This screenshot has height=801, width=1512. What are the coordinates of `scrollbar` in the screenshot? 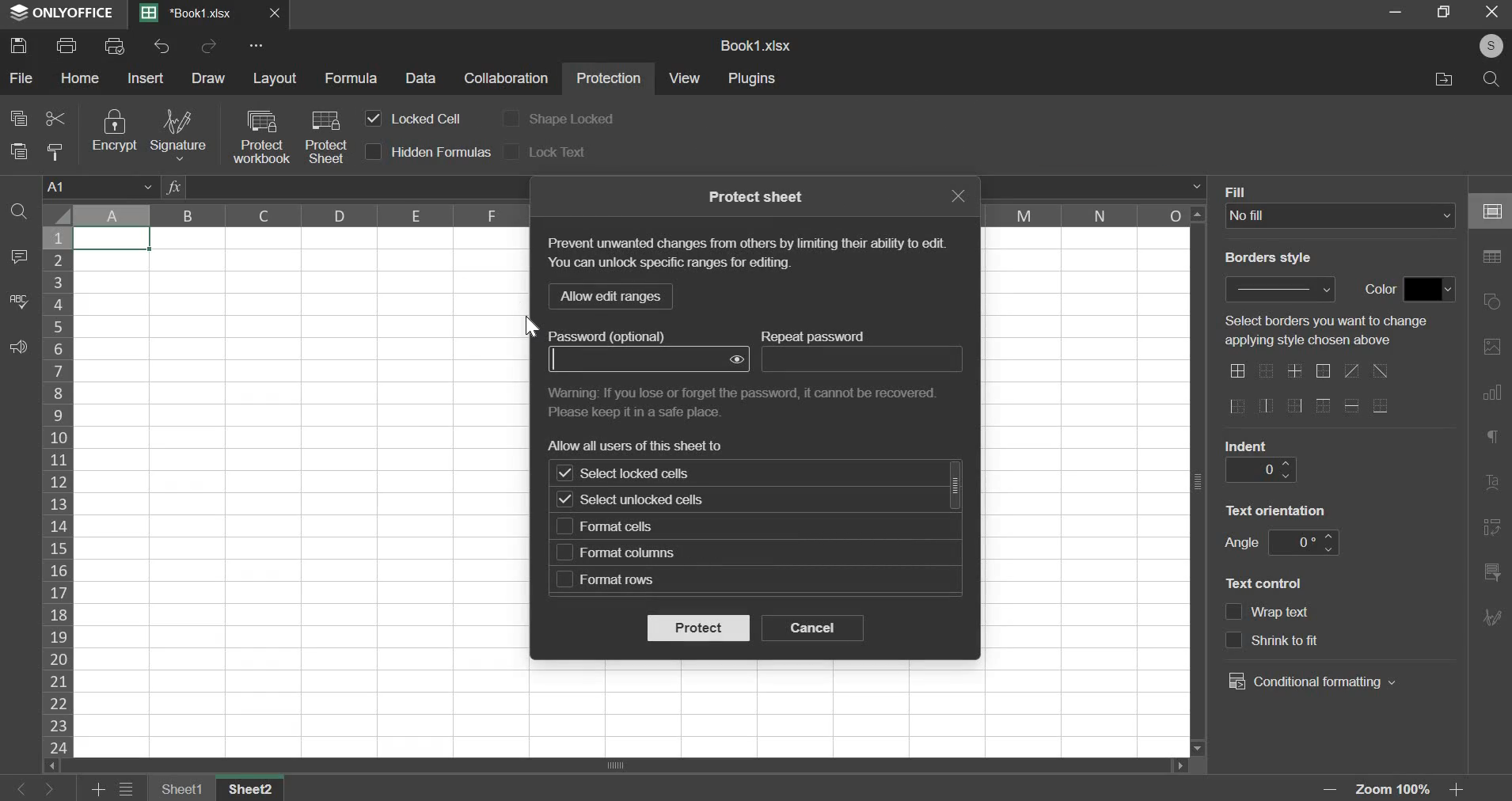 It's located at (623, 765).